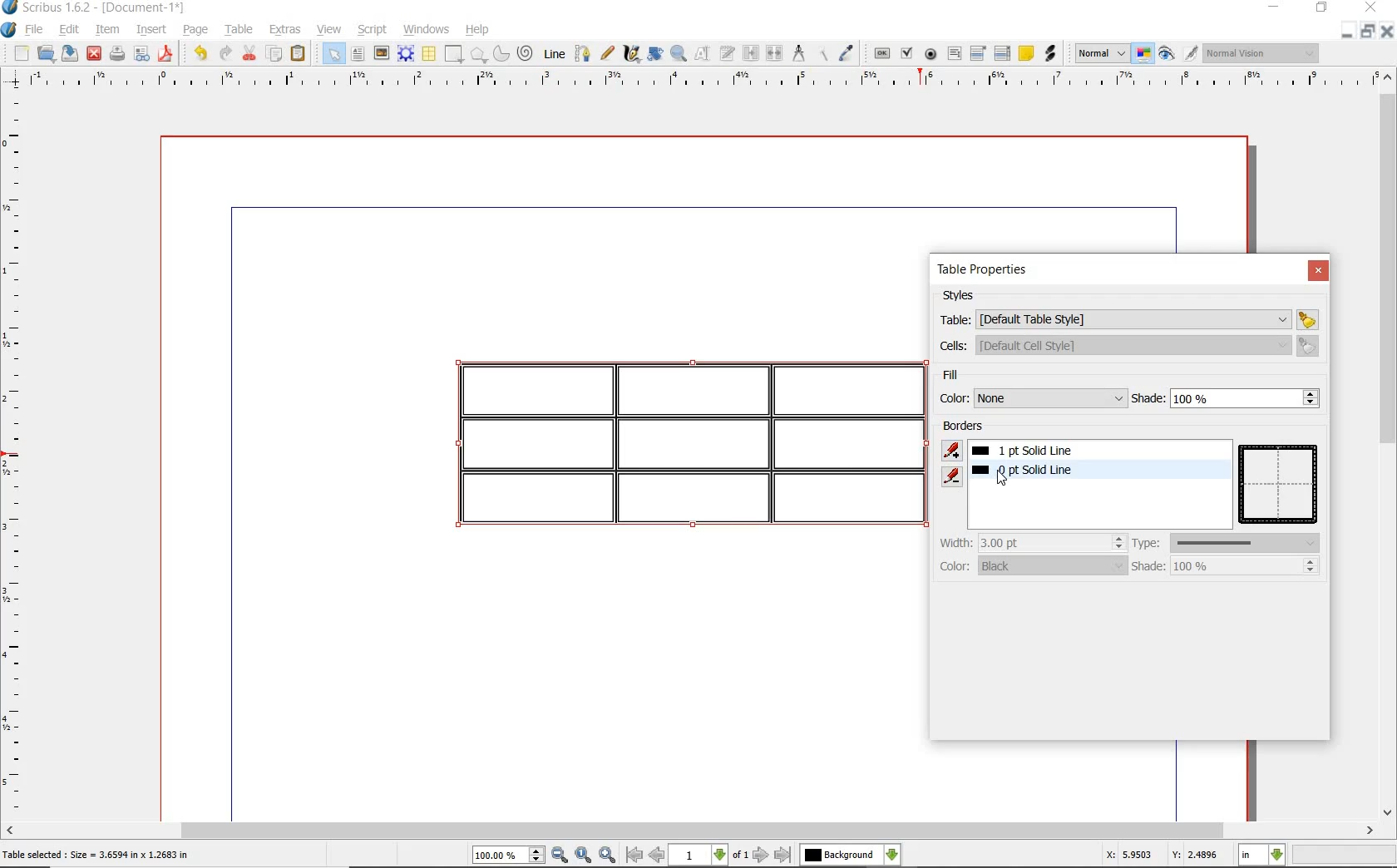 This screenshot has height=868, width=1397. Describe the element at coordinates (1266, 55) in the screenshot. I see `visual appearance of the display` at that location.